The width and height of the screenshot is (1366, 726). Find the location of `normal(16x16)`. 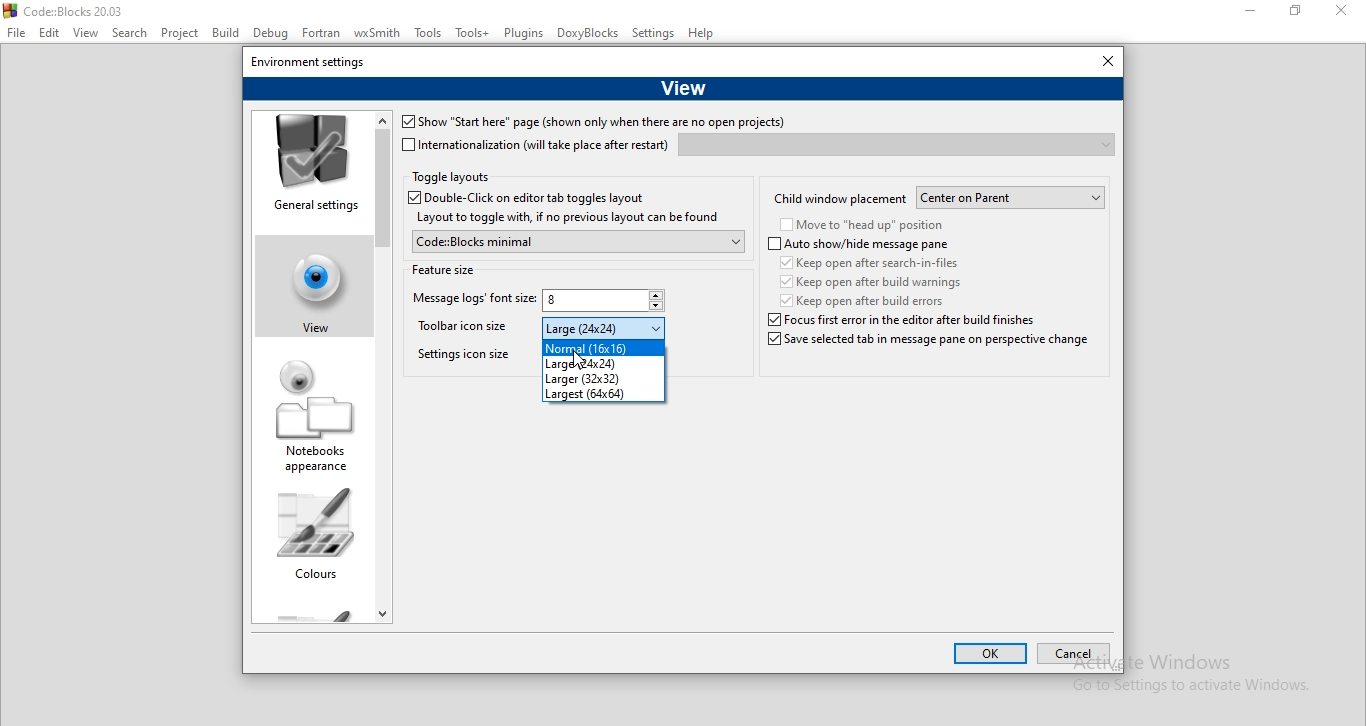

normal(16x16) is located at coordinates (603, 348).